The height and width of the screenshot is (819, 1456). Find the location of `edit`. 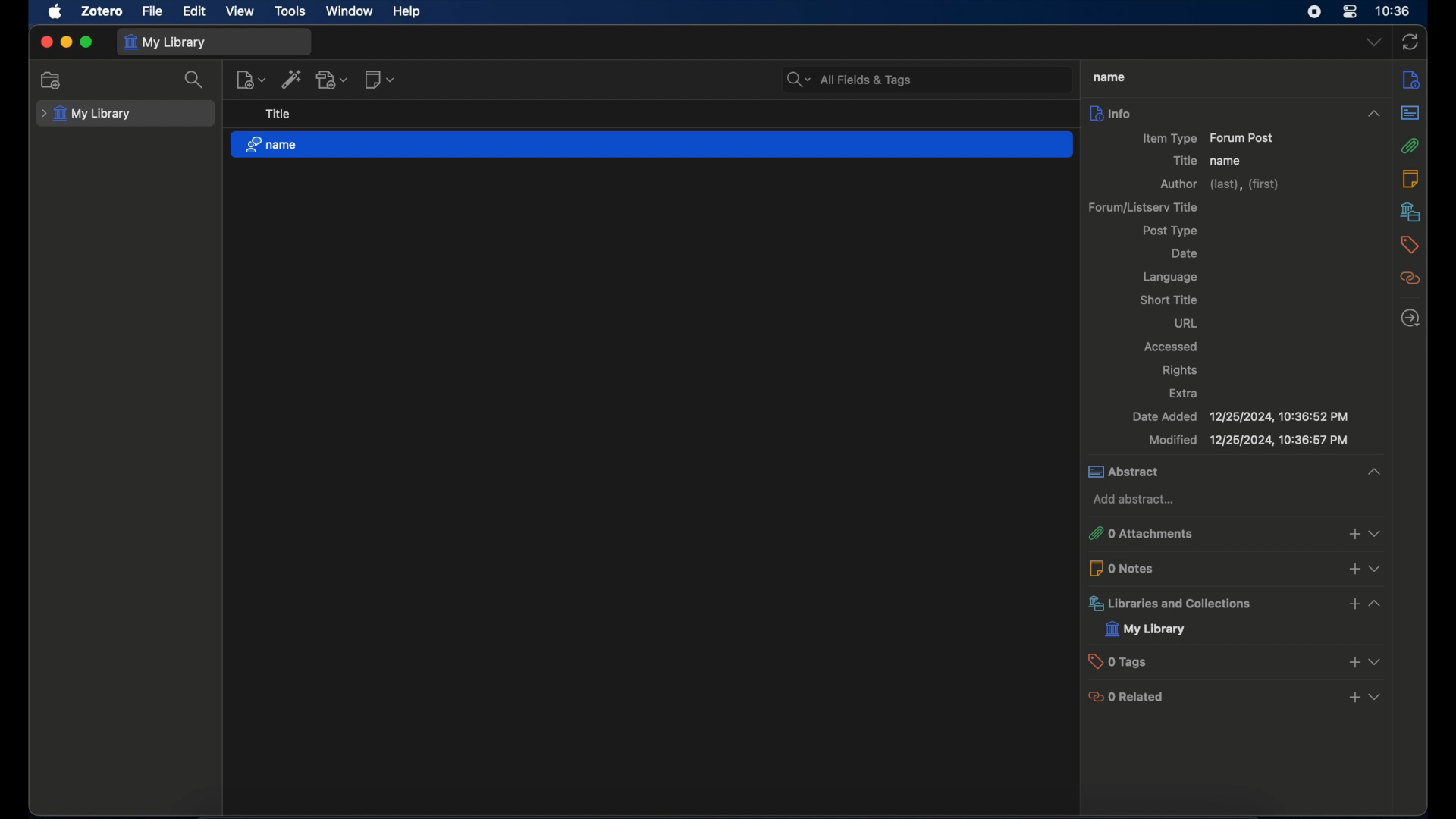

edit is located at coordinates (197, 11).